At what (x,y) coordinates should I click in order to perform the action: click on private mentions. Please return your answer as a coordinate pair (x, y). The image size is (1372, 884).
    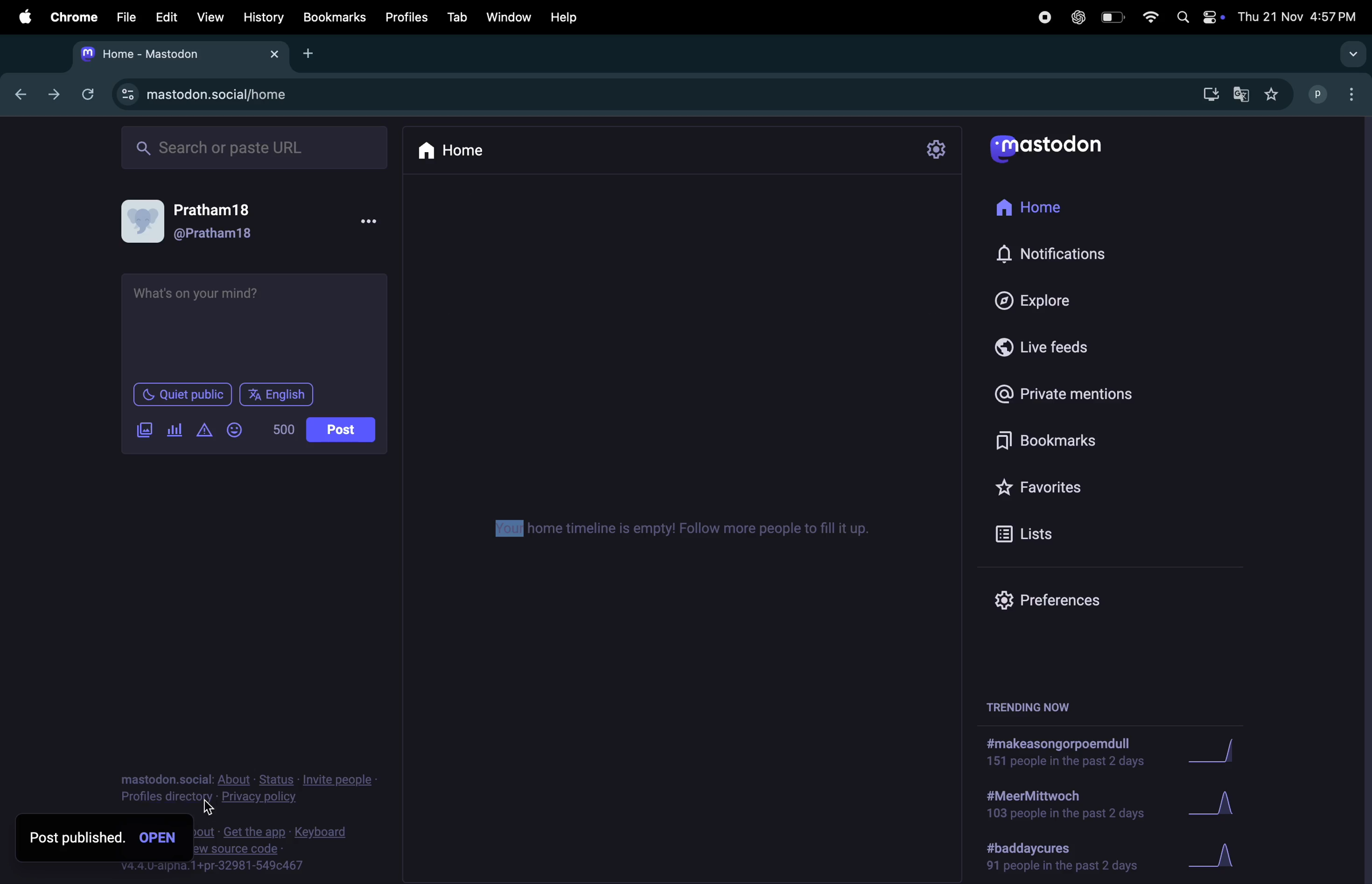
    Looking at the image, I should click on (1066, 397).